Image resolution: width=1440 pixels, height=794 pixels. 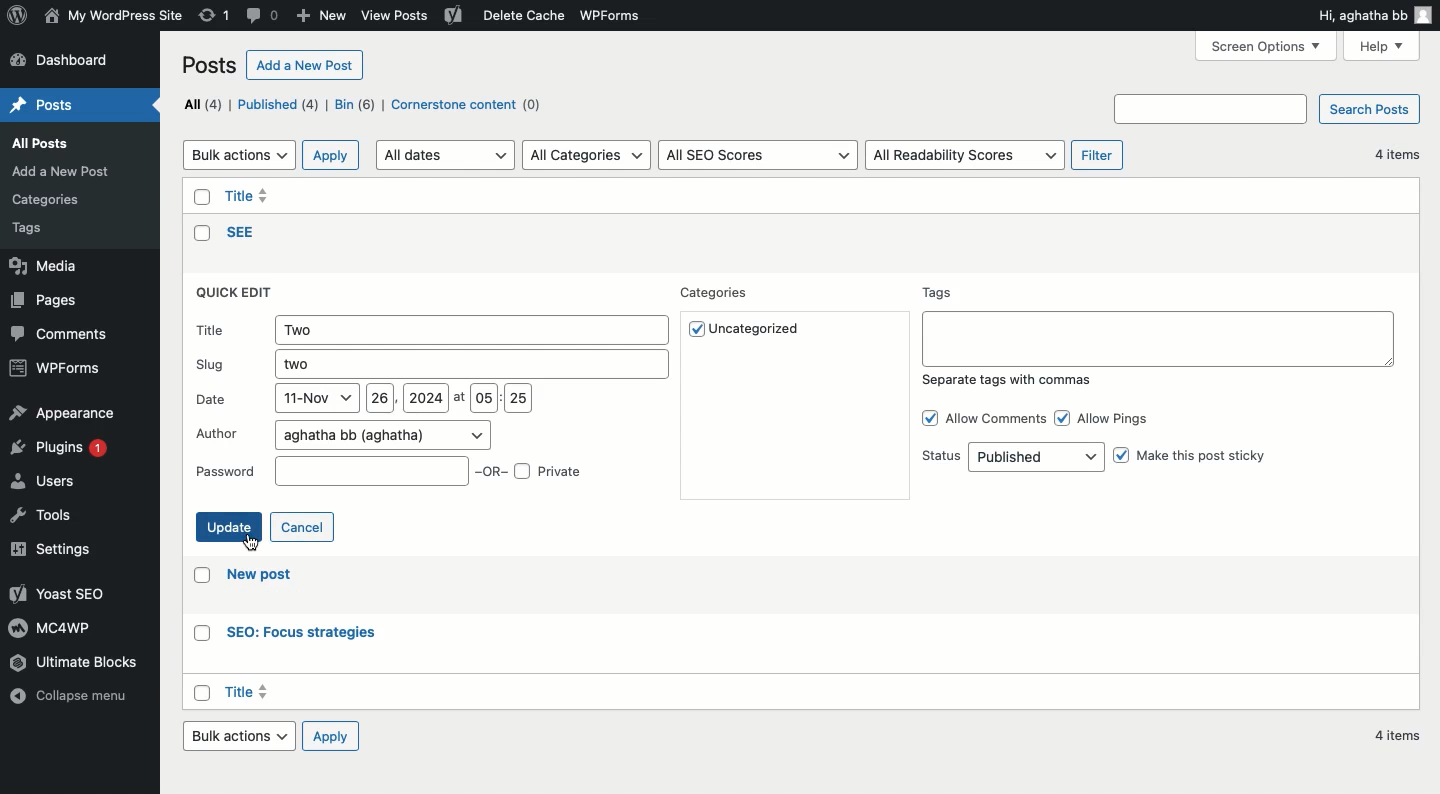 I want to click on Search posts, so click(x=1372, y=108).